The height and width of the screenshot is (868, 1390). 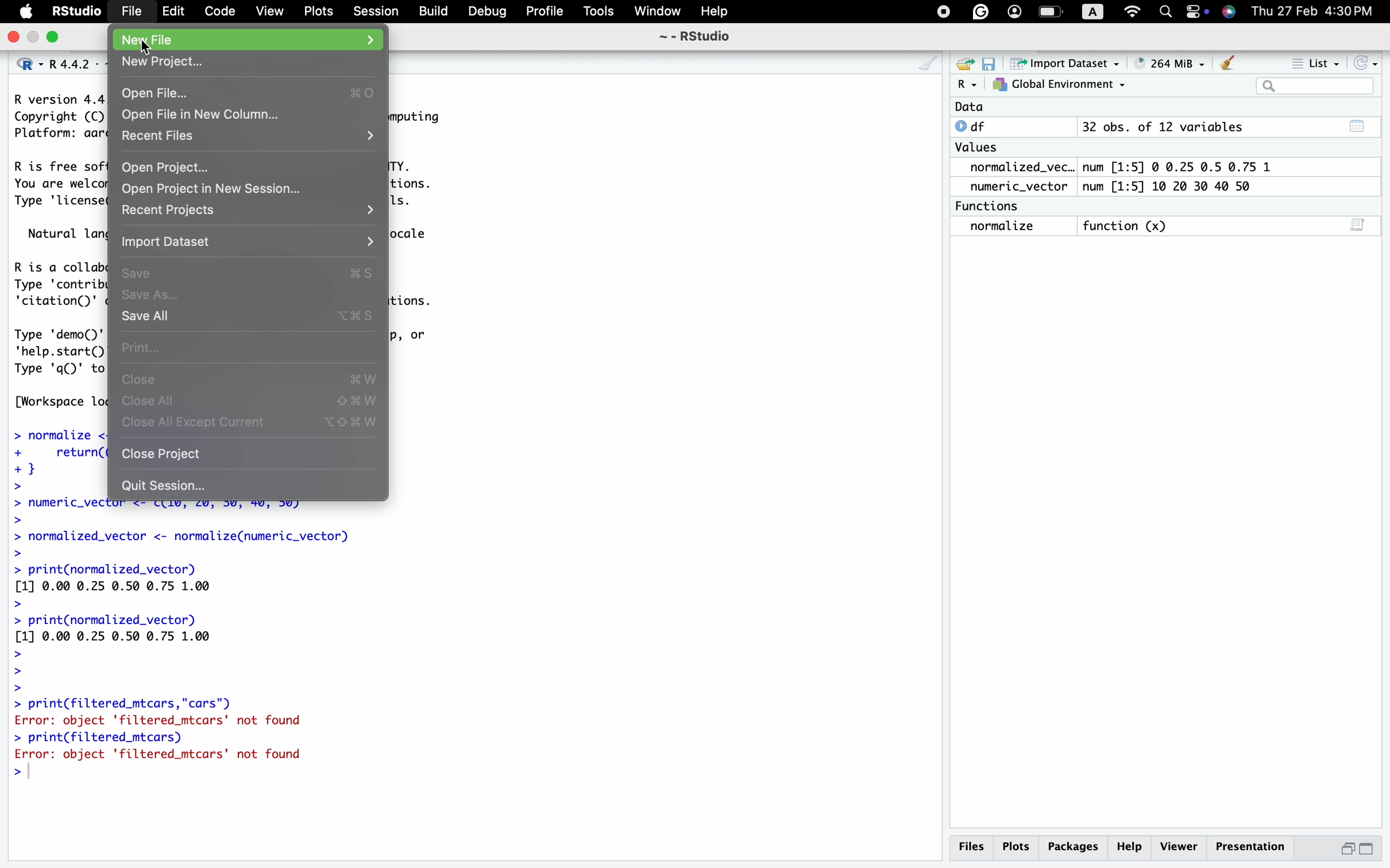 I want to click on print(filtered_mtcars), so click(x=106, y=738).